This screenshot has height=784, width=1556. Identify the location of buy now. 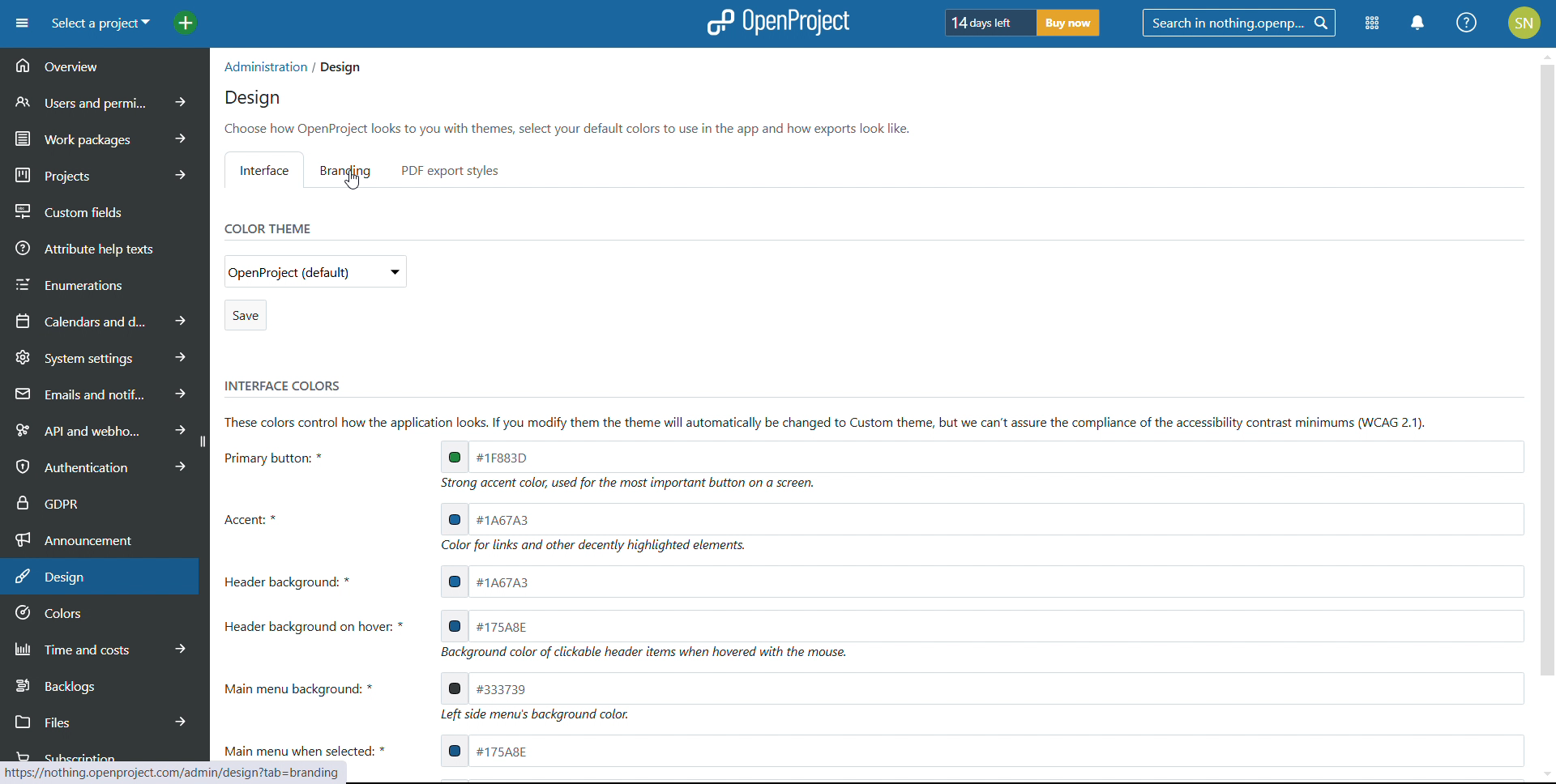
(1068, 23).